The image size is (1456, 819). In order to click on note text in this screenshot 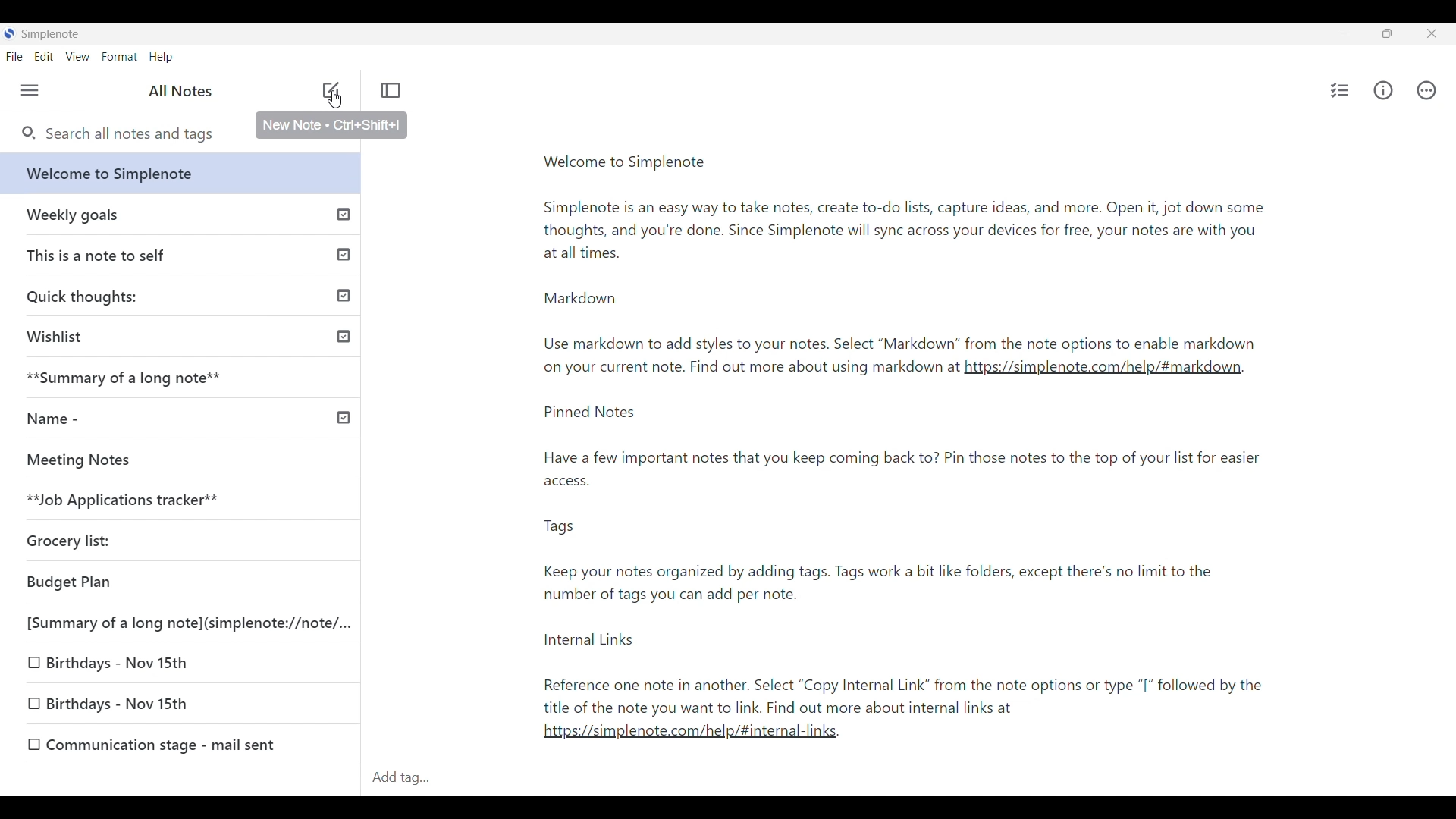, I will do `click(913, 558)`.